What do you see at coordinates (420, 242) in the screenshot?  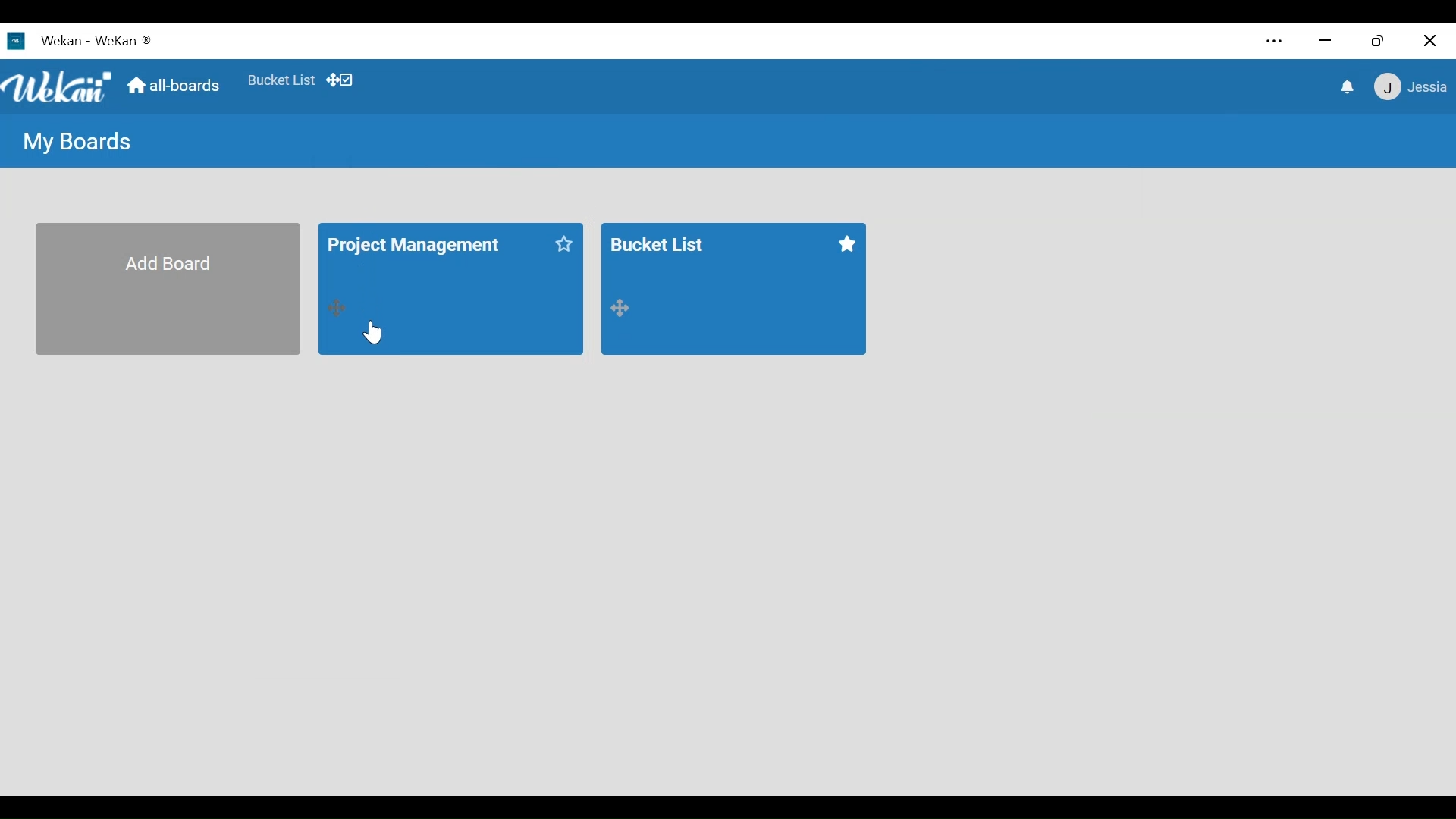 I see `board title` at bounding box center [420, 242].